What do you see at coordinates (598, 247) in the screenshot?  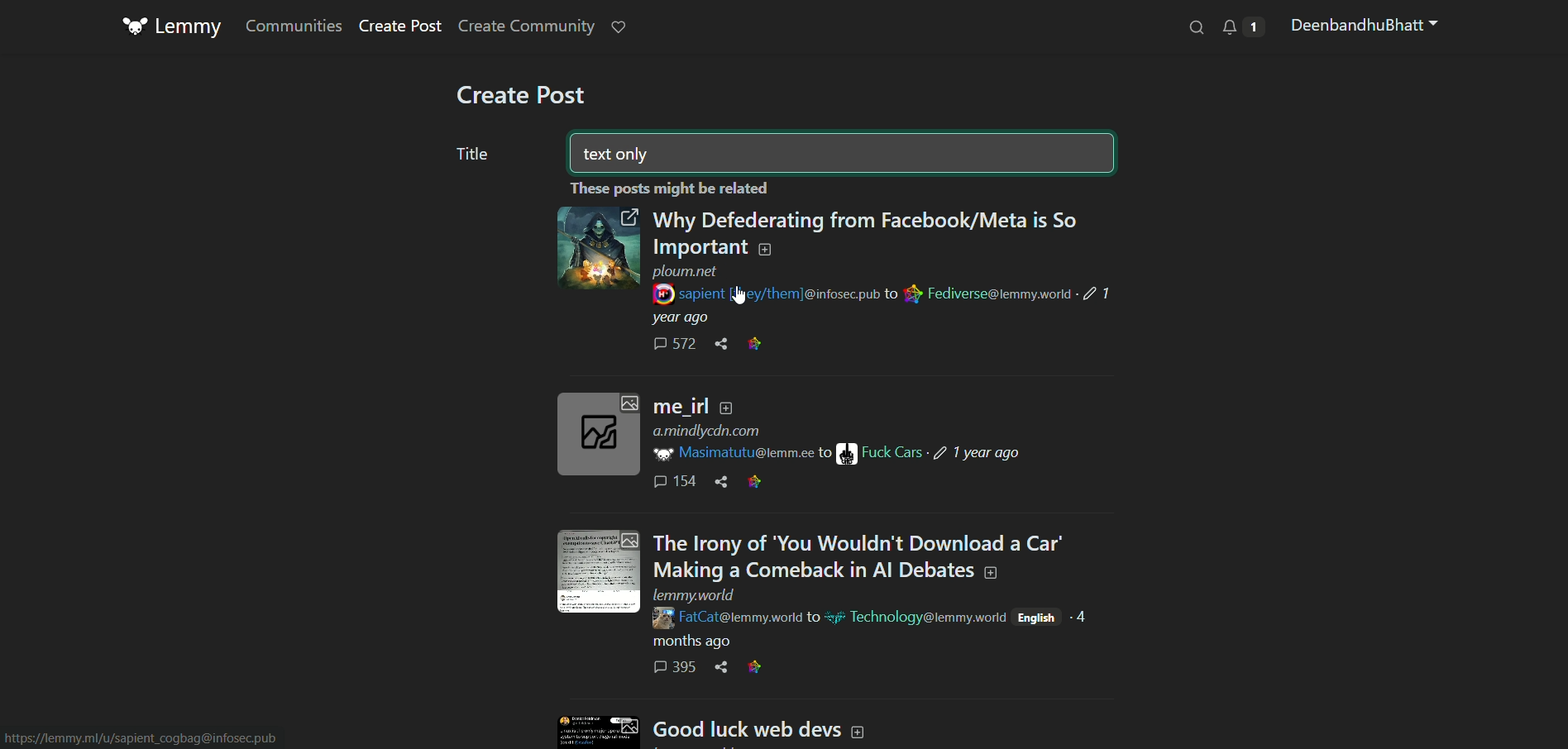 I see `Click to open link` at bounding box center [598, 247].